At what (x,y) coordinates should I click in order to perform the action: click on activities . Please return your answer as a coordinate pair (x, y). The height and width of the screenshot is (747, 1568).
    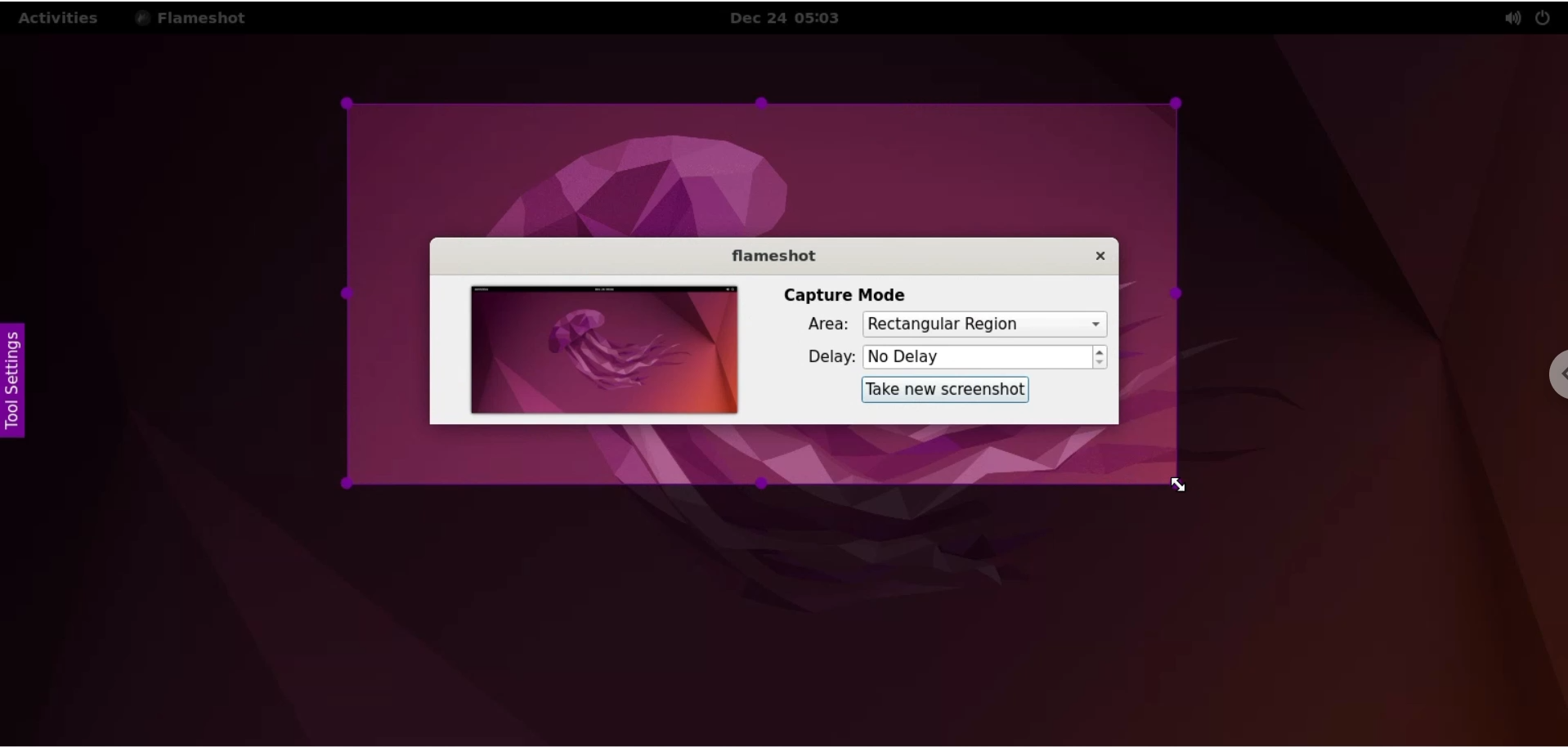
    Looking at the image, I should click on (60, 18).